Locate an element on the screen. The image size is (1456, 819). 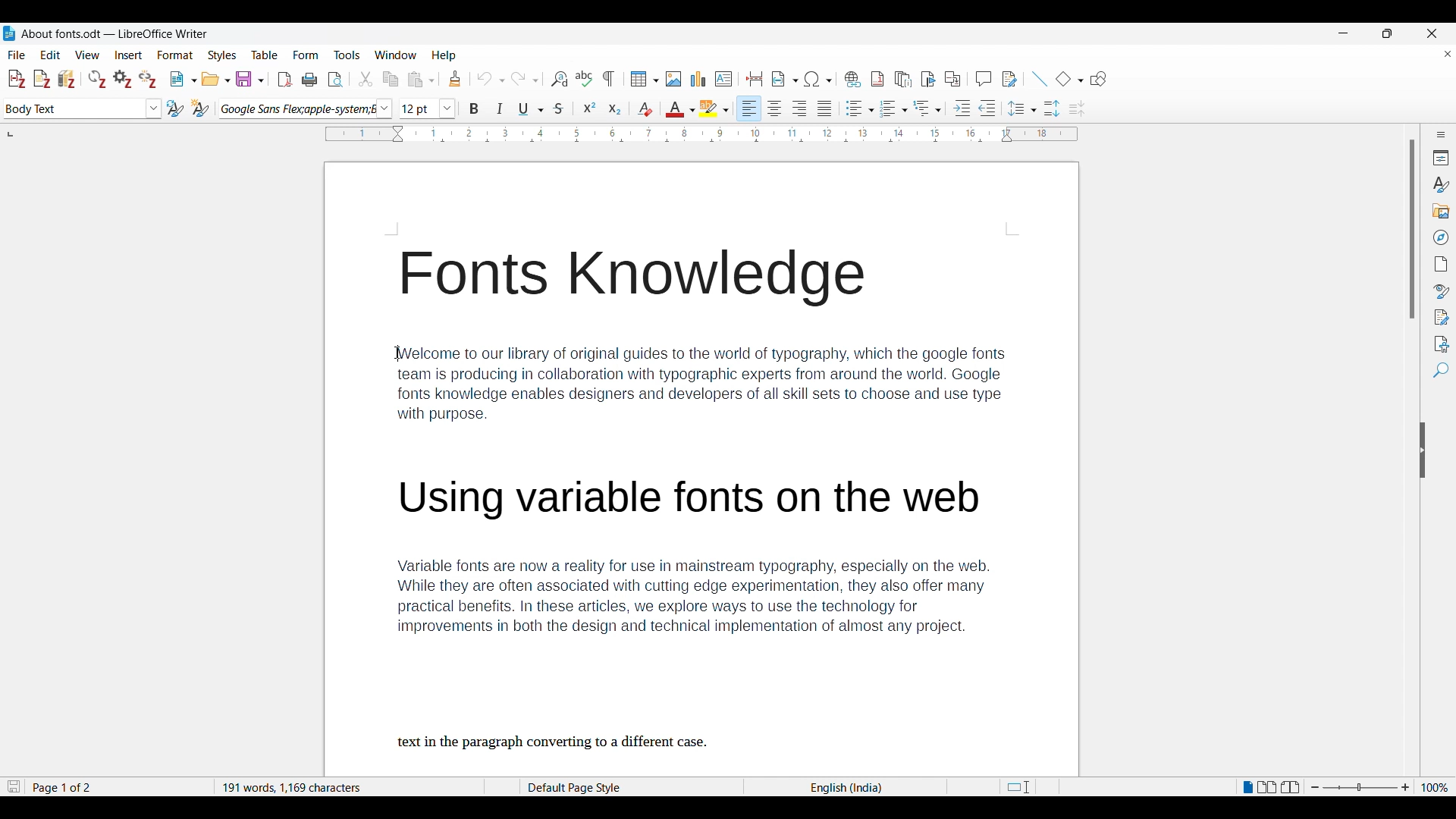
Clear direct formatting is located at coordinates (645, 109).